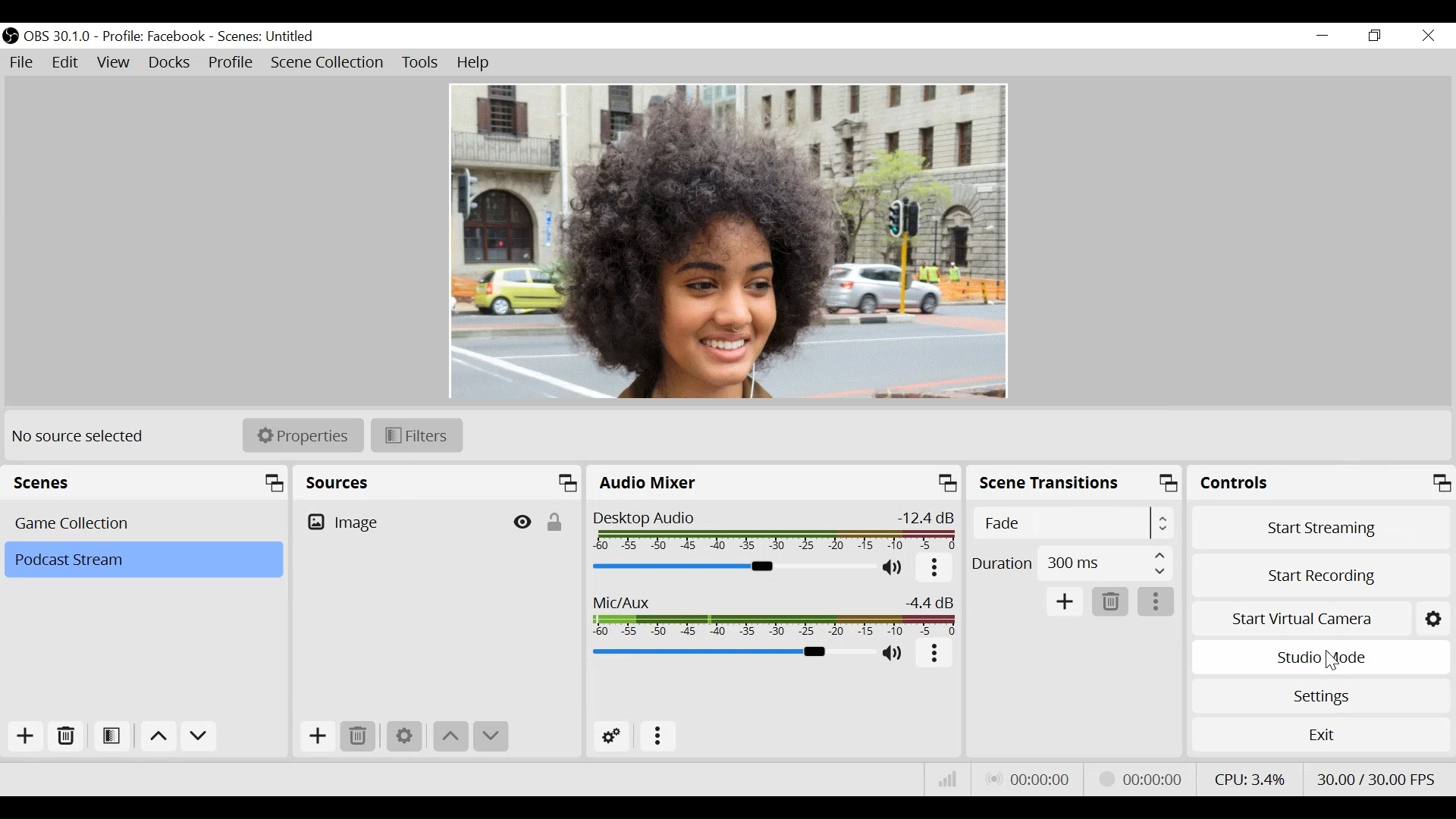 This screenshot has width=1456, height=819. I want to click on Start Virtual Camera, so click(1318, 618).